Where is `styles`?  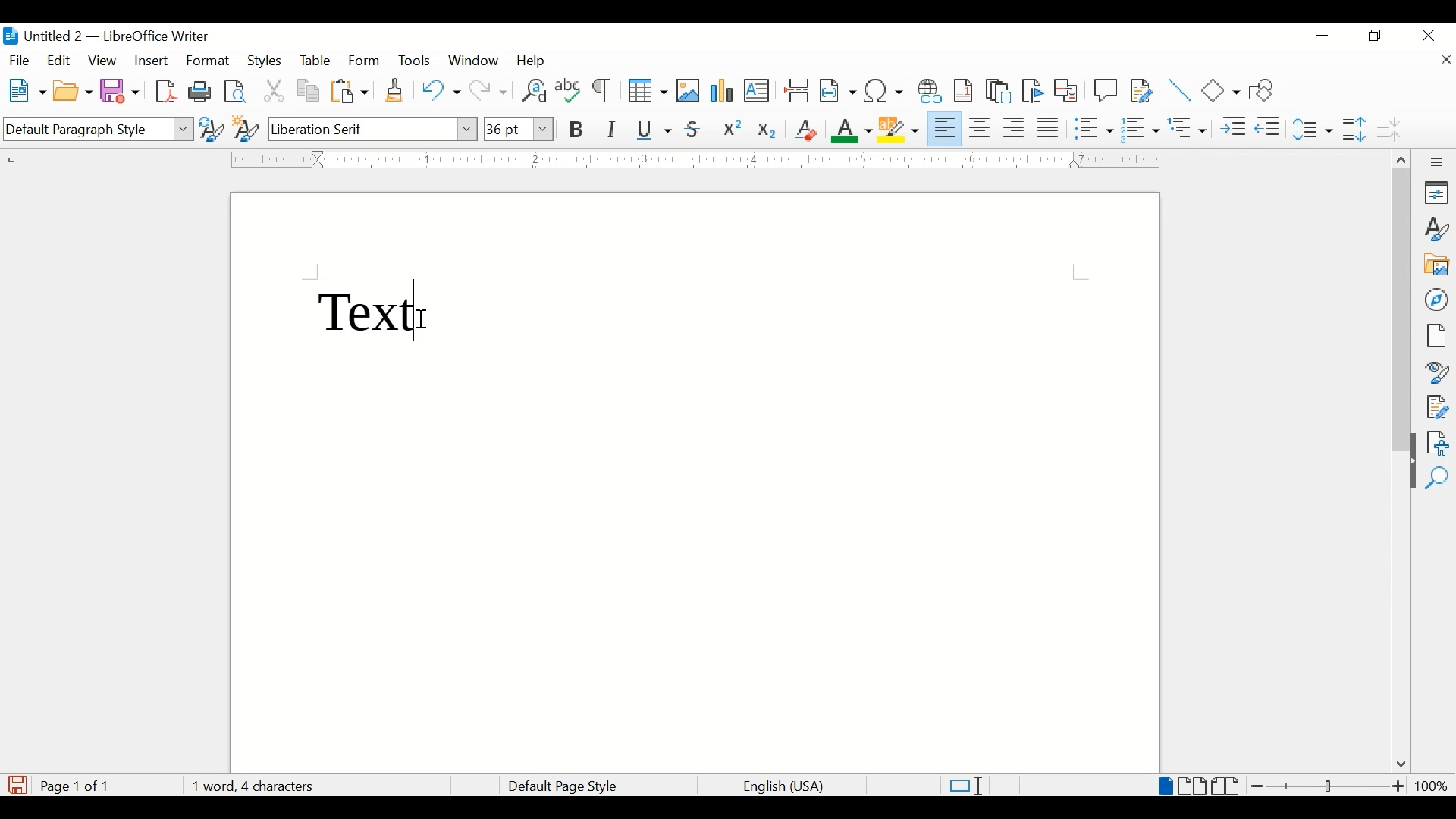
styles is located at coordinates (266, 61).